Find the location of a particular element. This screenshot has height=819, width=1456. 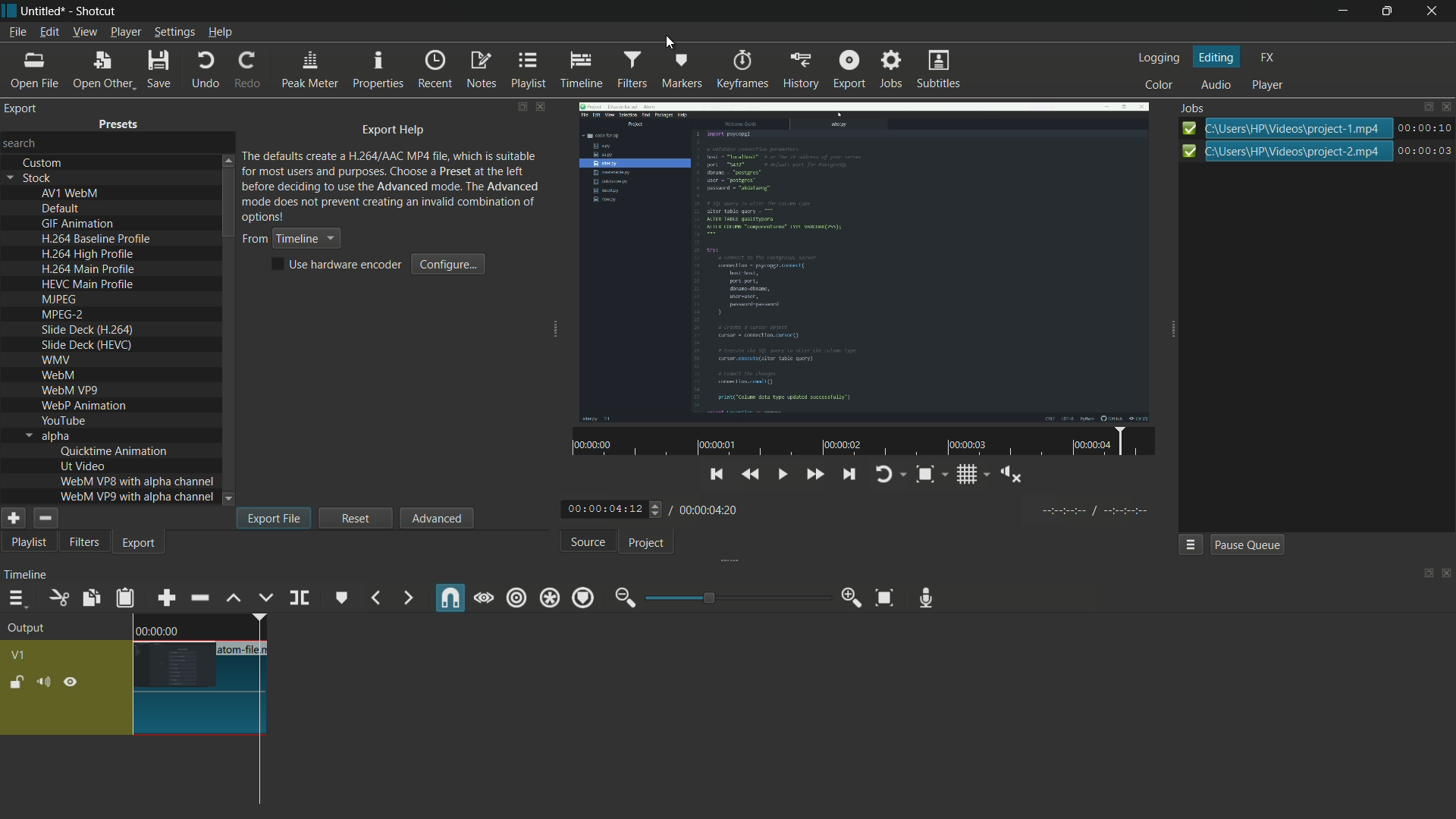

mjpeg is located at coordinates (57, 300).